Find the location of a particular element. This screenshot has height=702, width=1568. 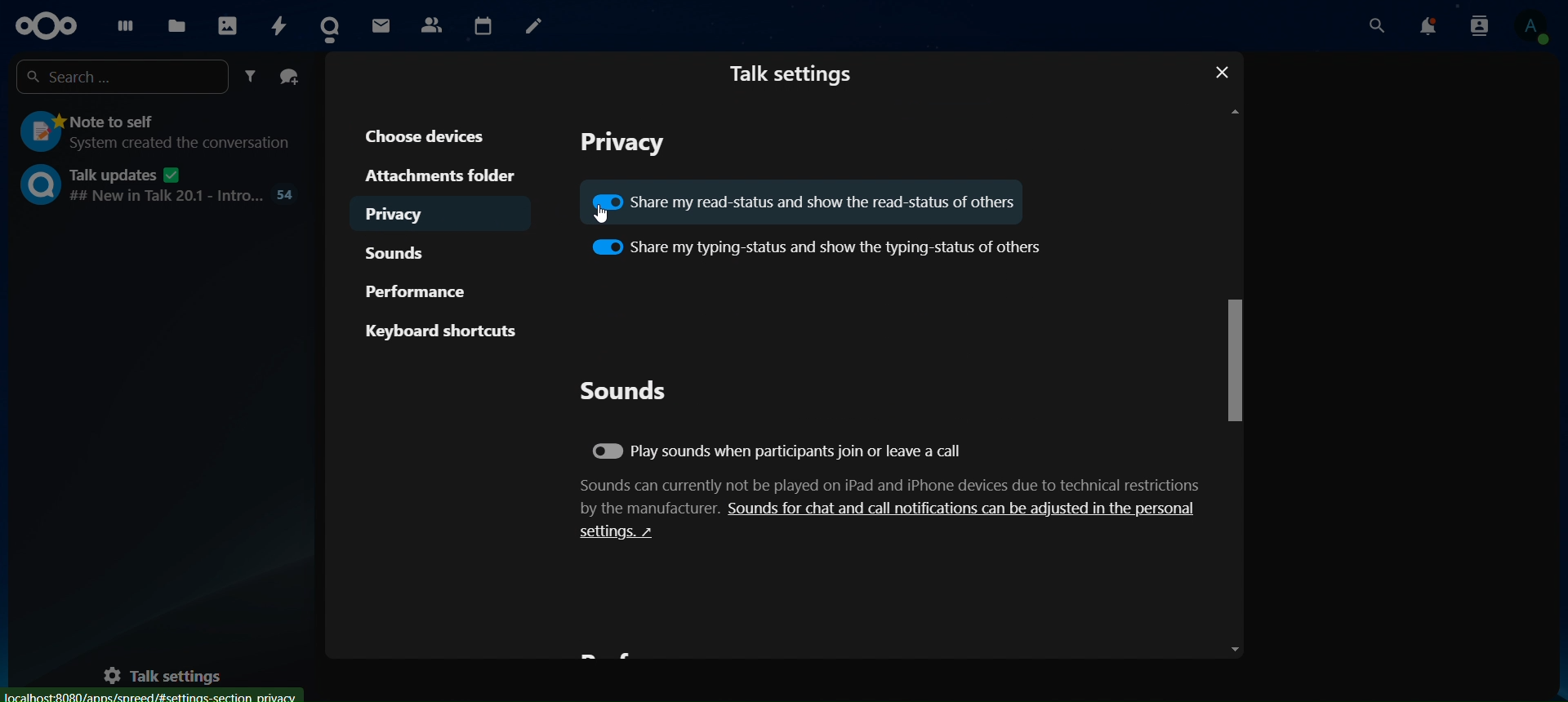

create a group is located at coordinates (290, 77).